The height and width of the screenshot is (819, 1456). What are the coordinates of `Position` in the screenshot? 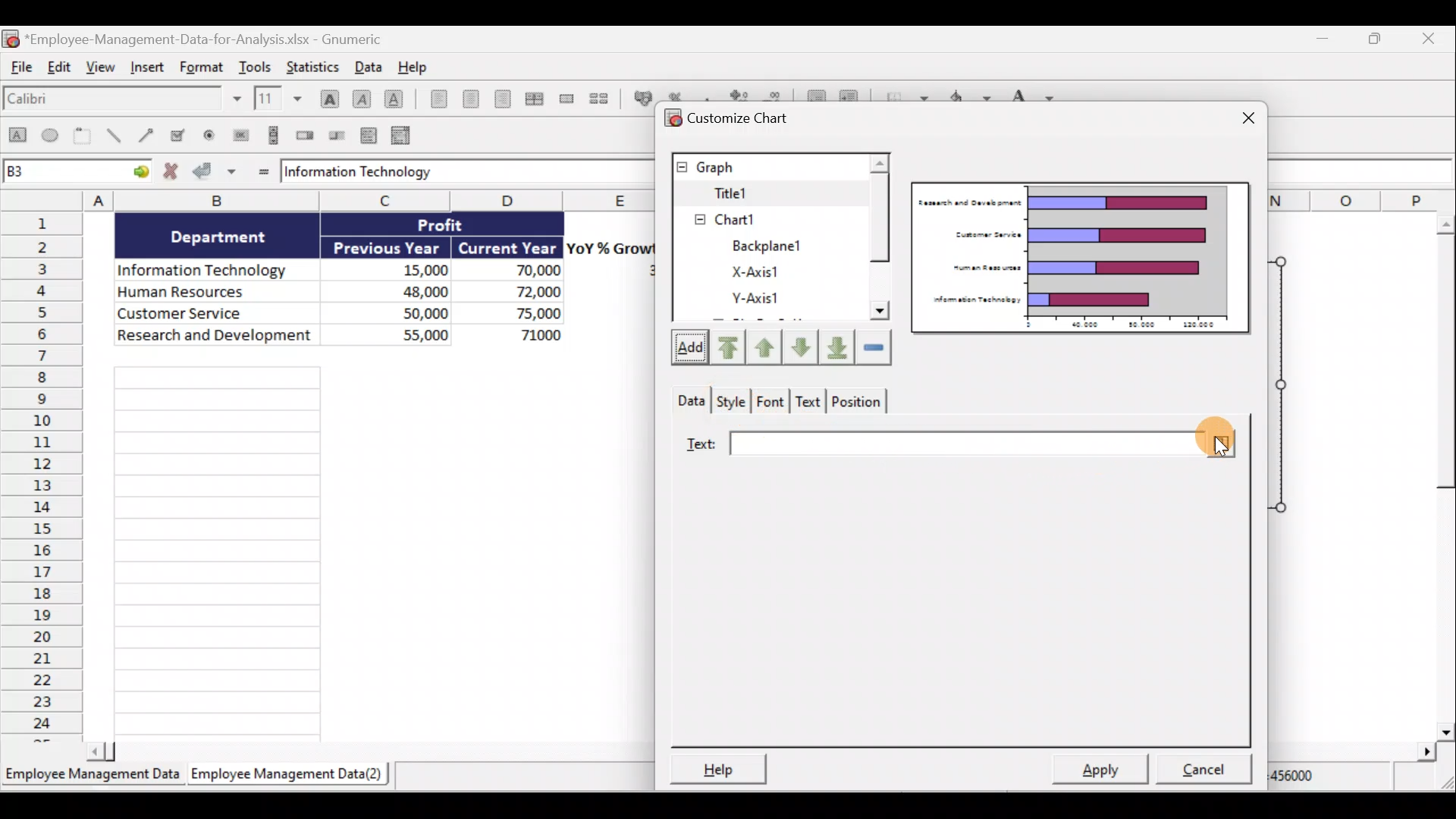 It's located at (858, 403).